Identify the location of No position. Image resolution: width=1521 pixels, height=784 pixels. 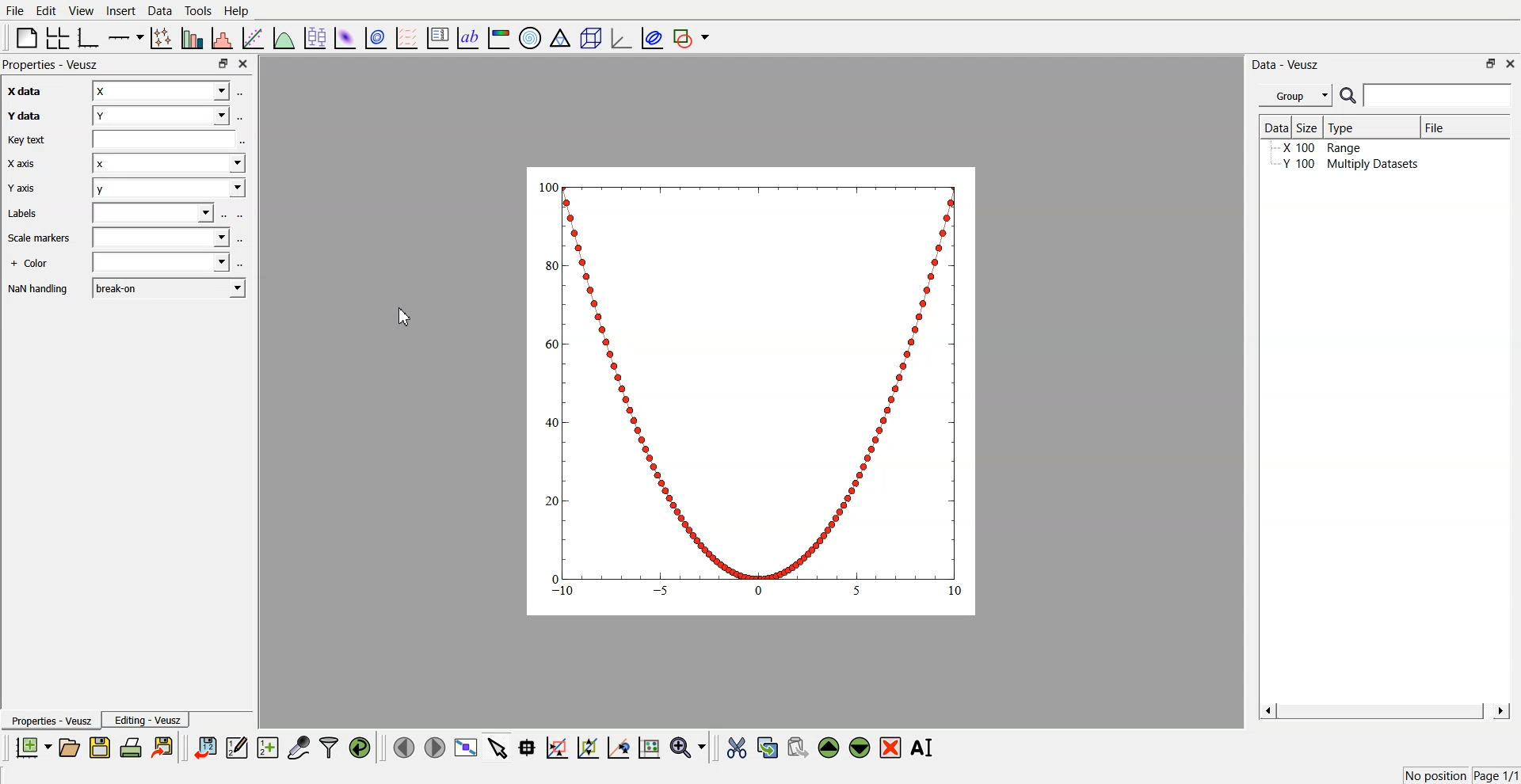
(1438, 774).